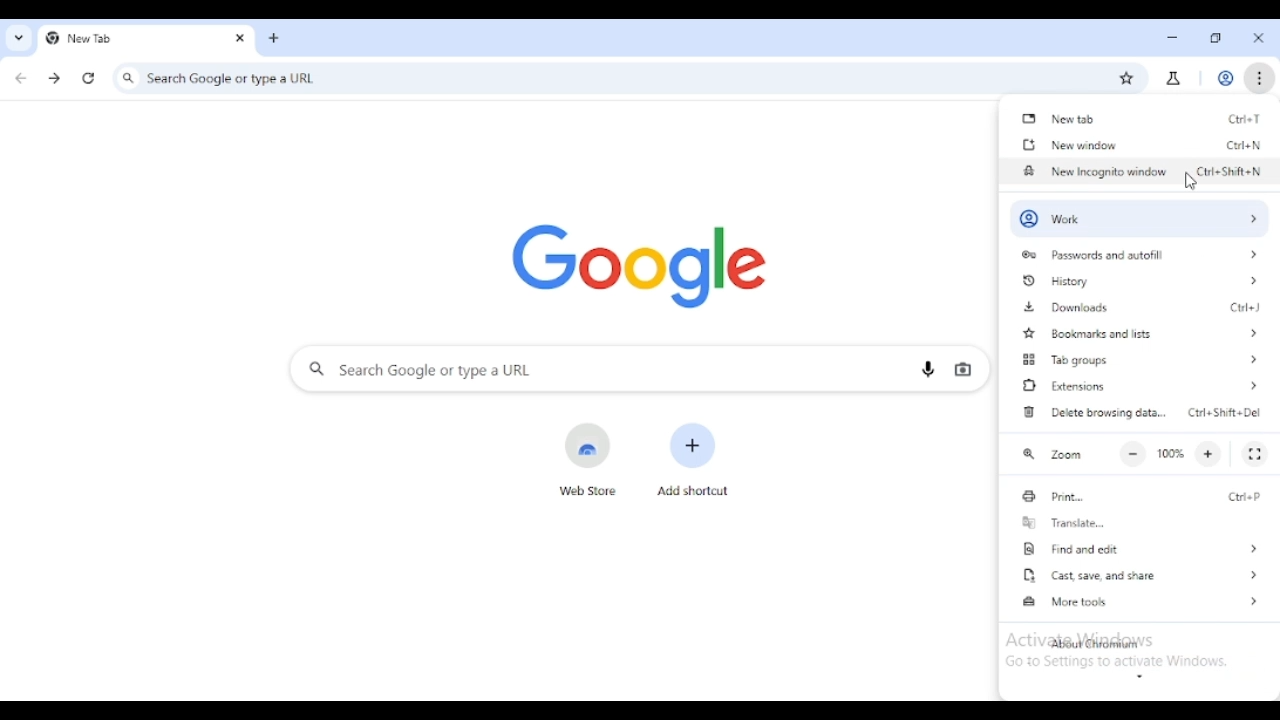 This screenshot has width=1280, height=720. What do you see at coordinates (54, 78) in the screenshot?
I see `click to go forward` at bounding box center [54, 78].